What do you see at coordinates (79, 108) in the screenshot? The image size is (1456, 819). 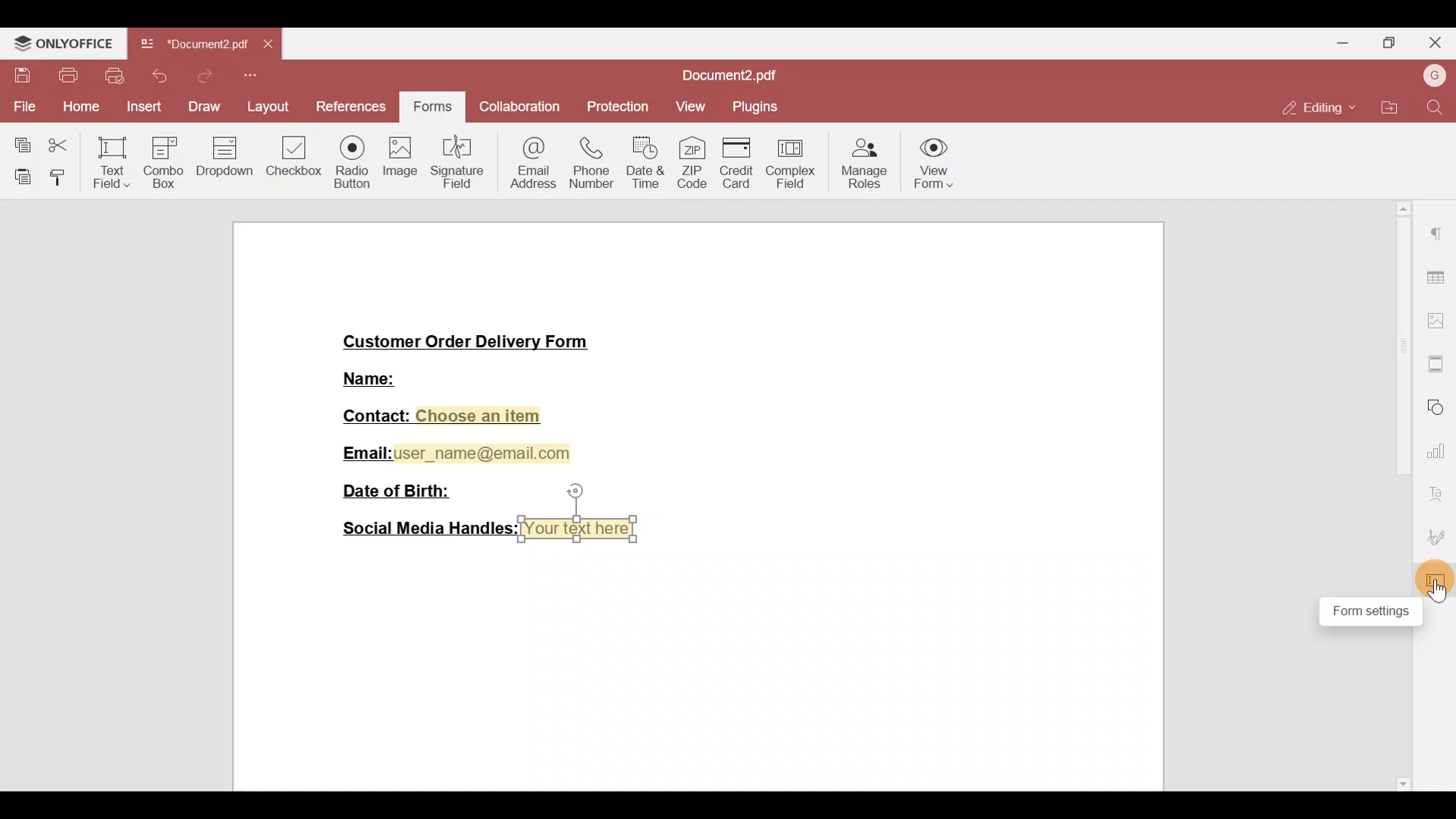 I see `Home` at bounding box center [79, 108].